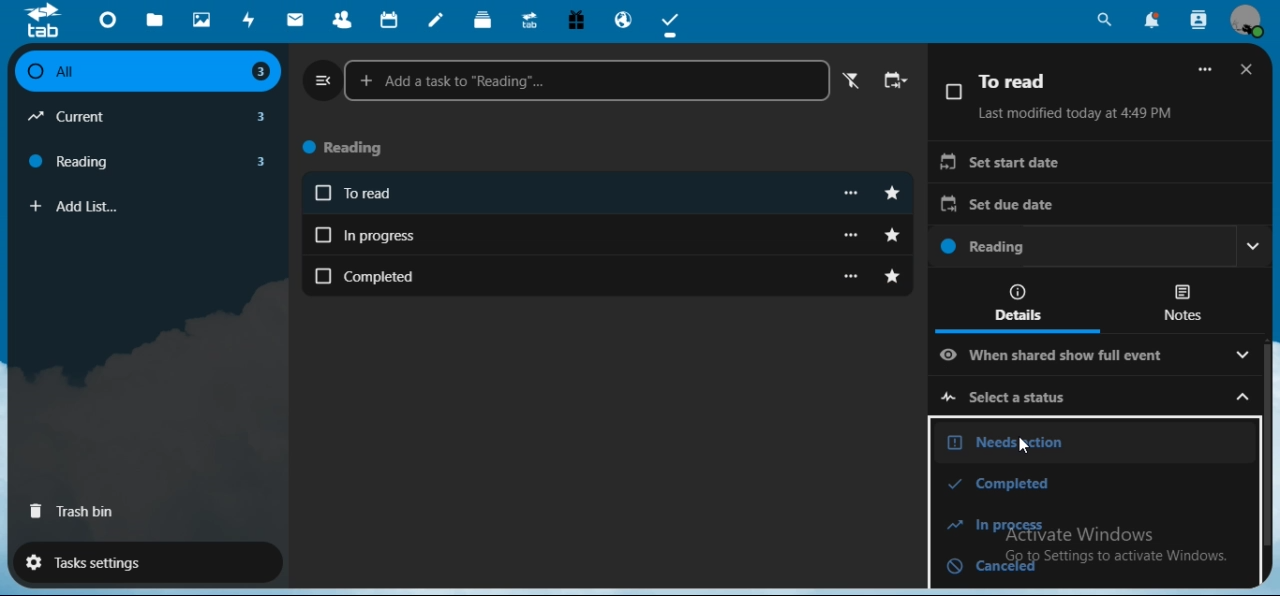 This screenshot has height=596, width=1280. Describe the element at coordinates (323, 276) in the screenshot. I see `Checkbox` at that location.